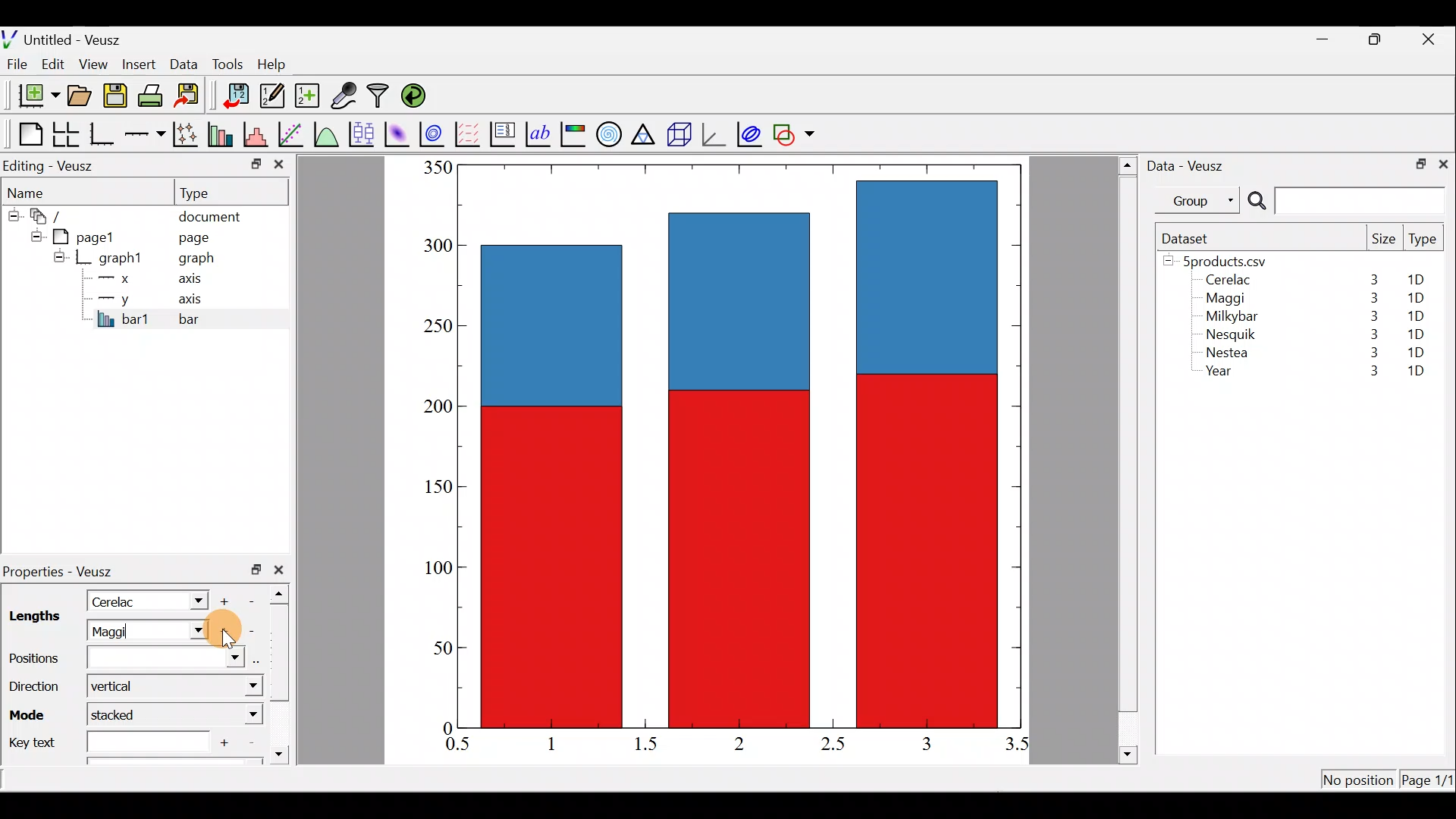 This screenshot has width=1456, height=819. Describe the element at coordinates (1371, 316) in the screenshot. I see `3` at that location.